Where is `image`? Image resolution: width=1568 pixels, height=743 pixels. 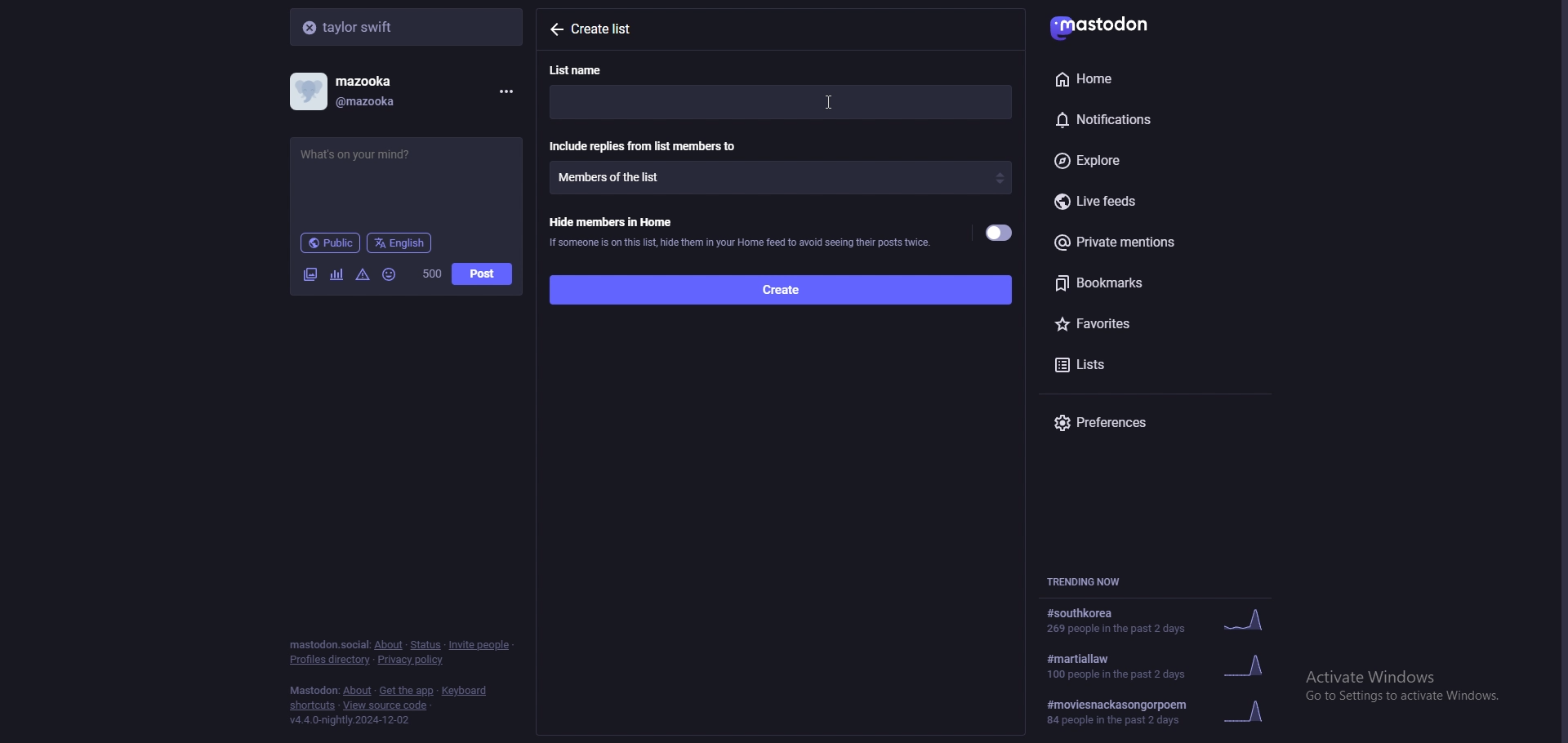
image is located at coordinates (310, 274).